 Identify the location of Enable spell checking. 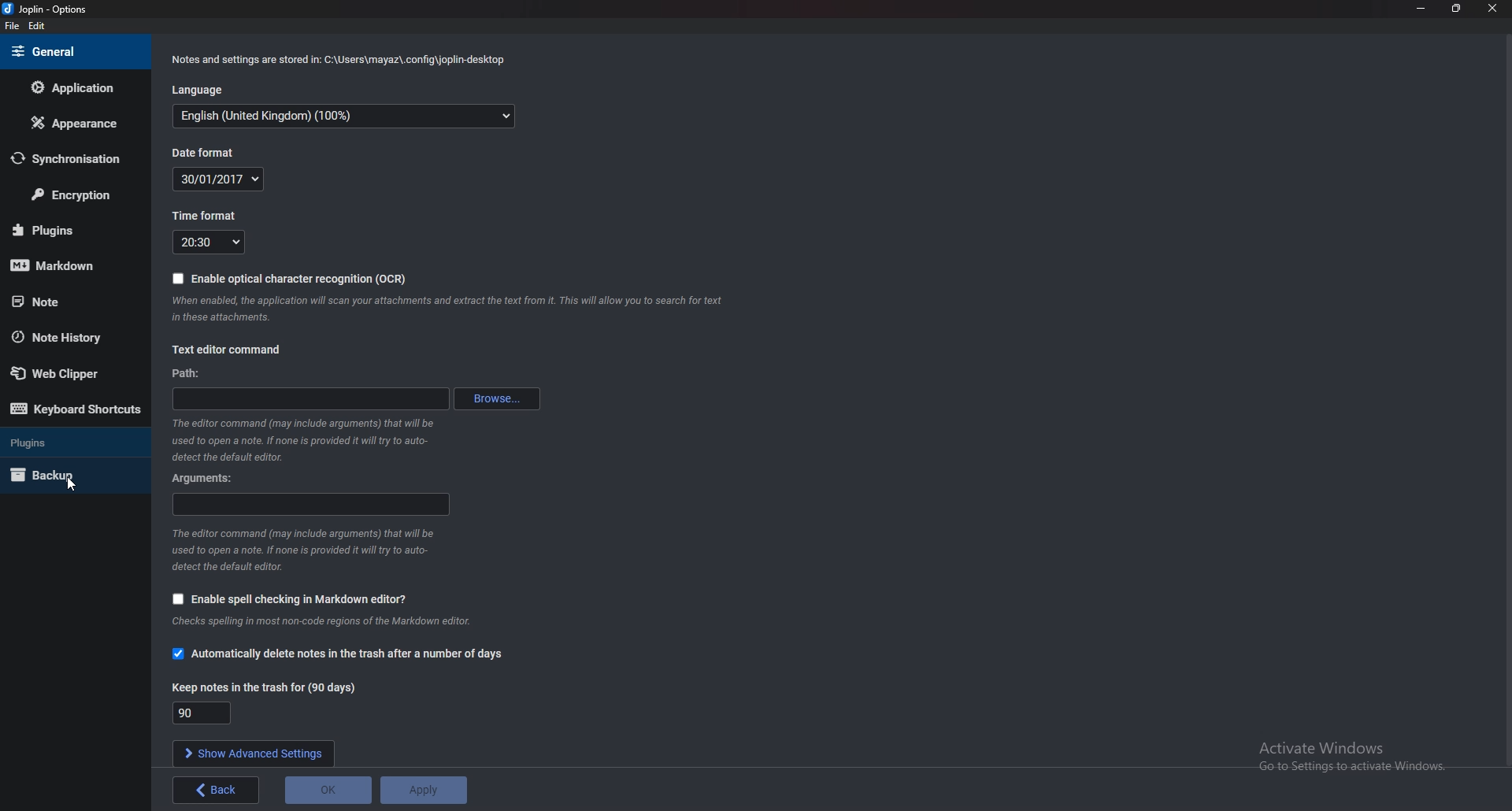
(291, 599).